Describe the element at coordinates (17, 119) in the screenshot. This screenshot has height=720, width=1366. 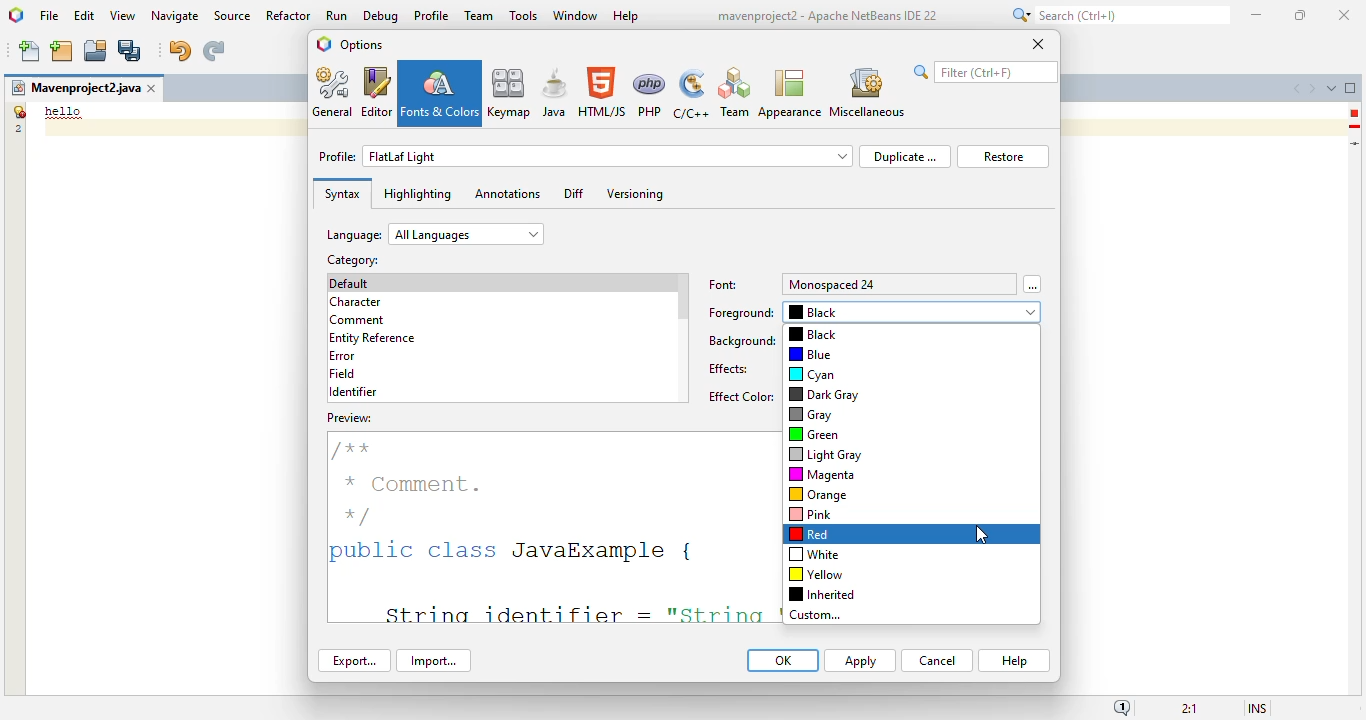
I see `line numbers` at that location.